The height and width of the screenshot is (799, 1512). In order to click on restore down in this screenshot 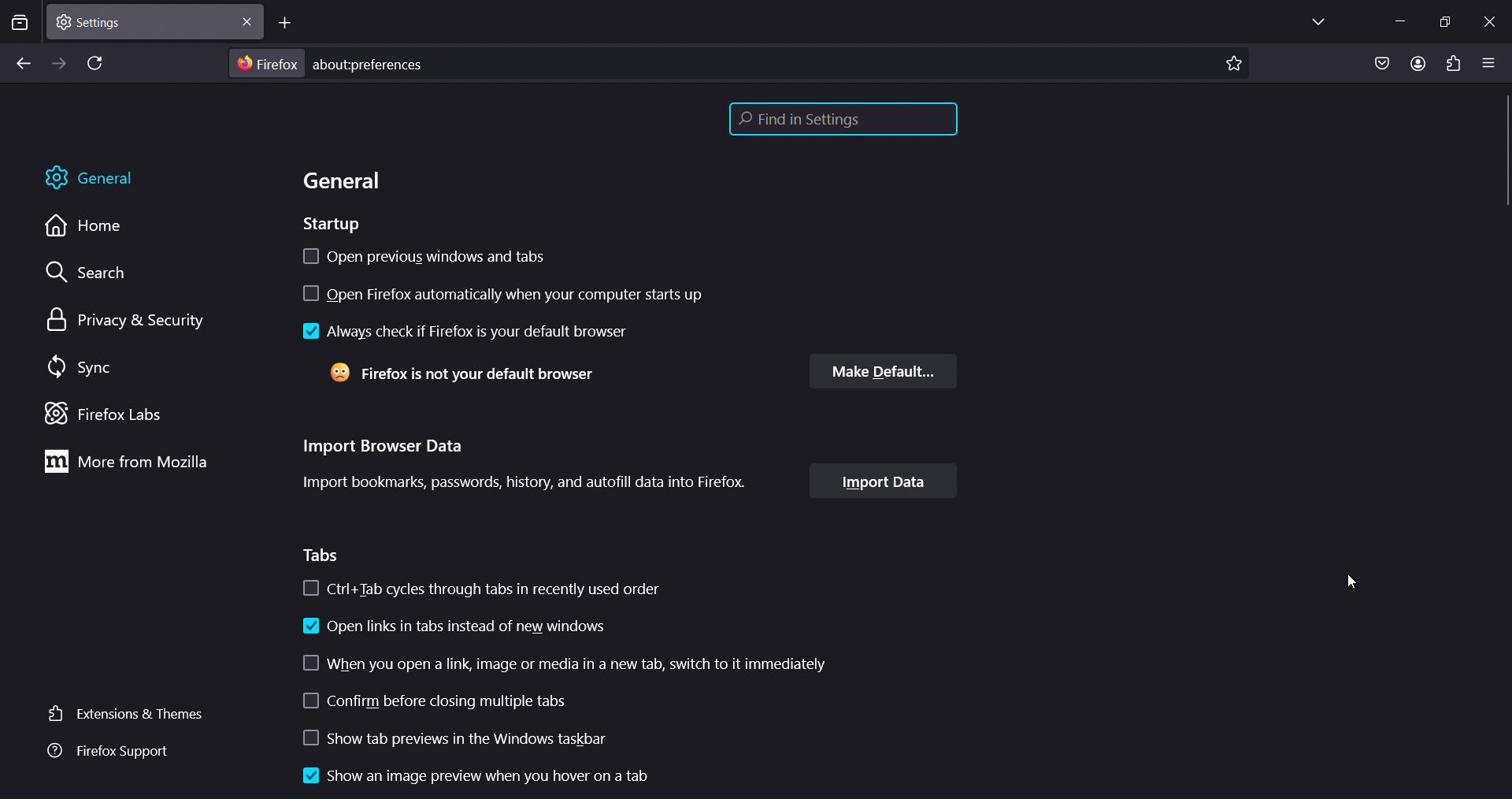, I will do `click(1447, 22)`.